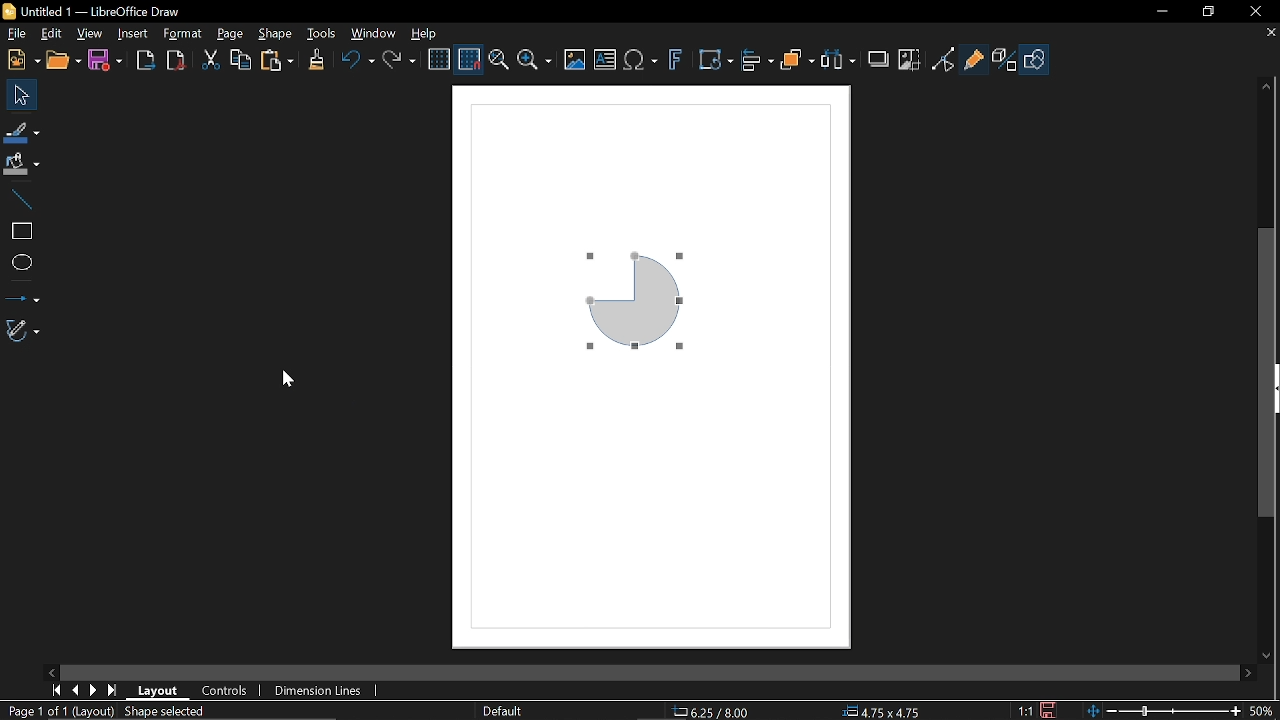  Describe the element at coordinates (277, 62) in the screenshot. I see `Paste` at that location.